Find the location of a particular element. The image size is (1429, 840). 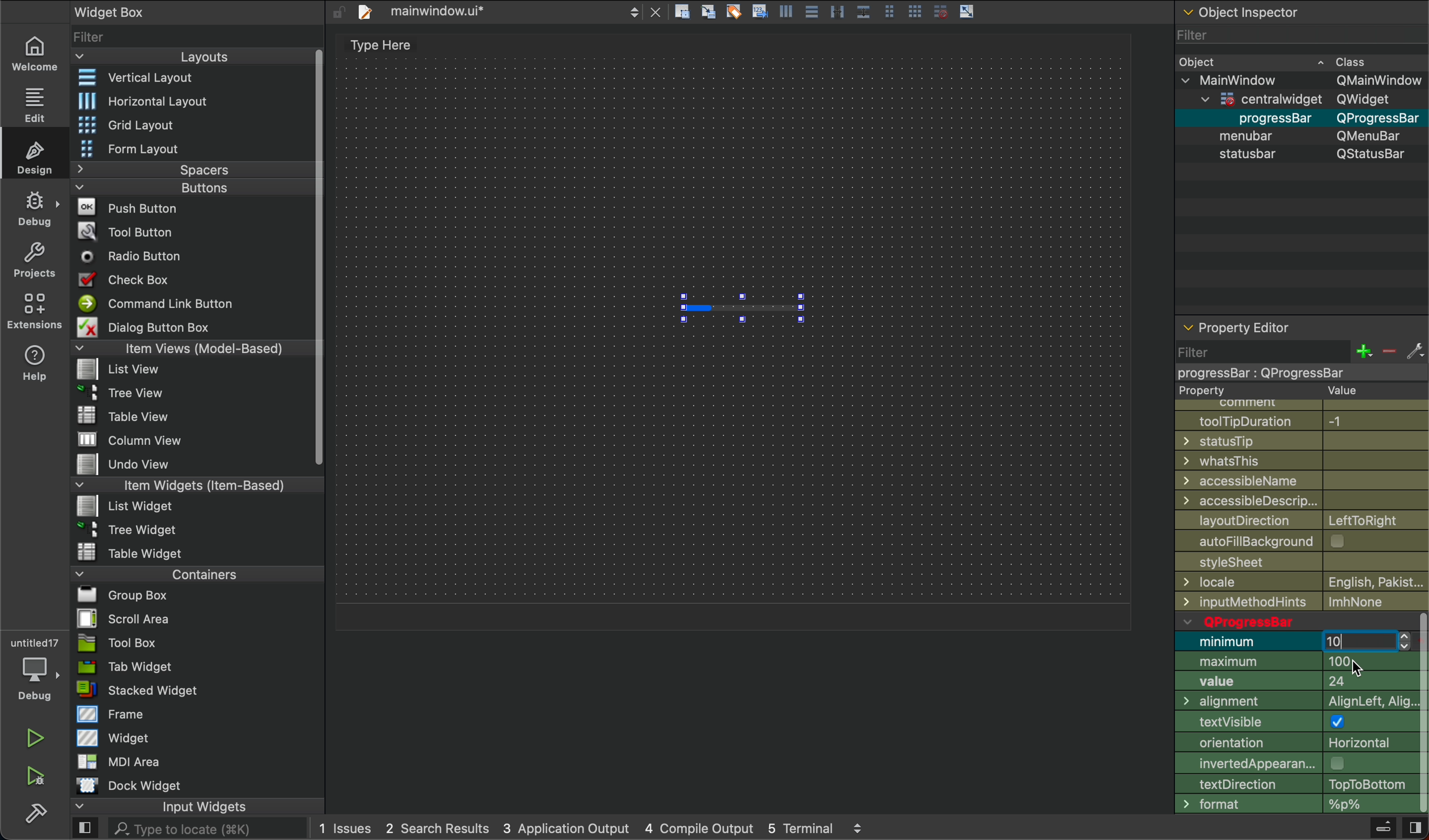

Maximum  is located at coordinates (1293, 661).